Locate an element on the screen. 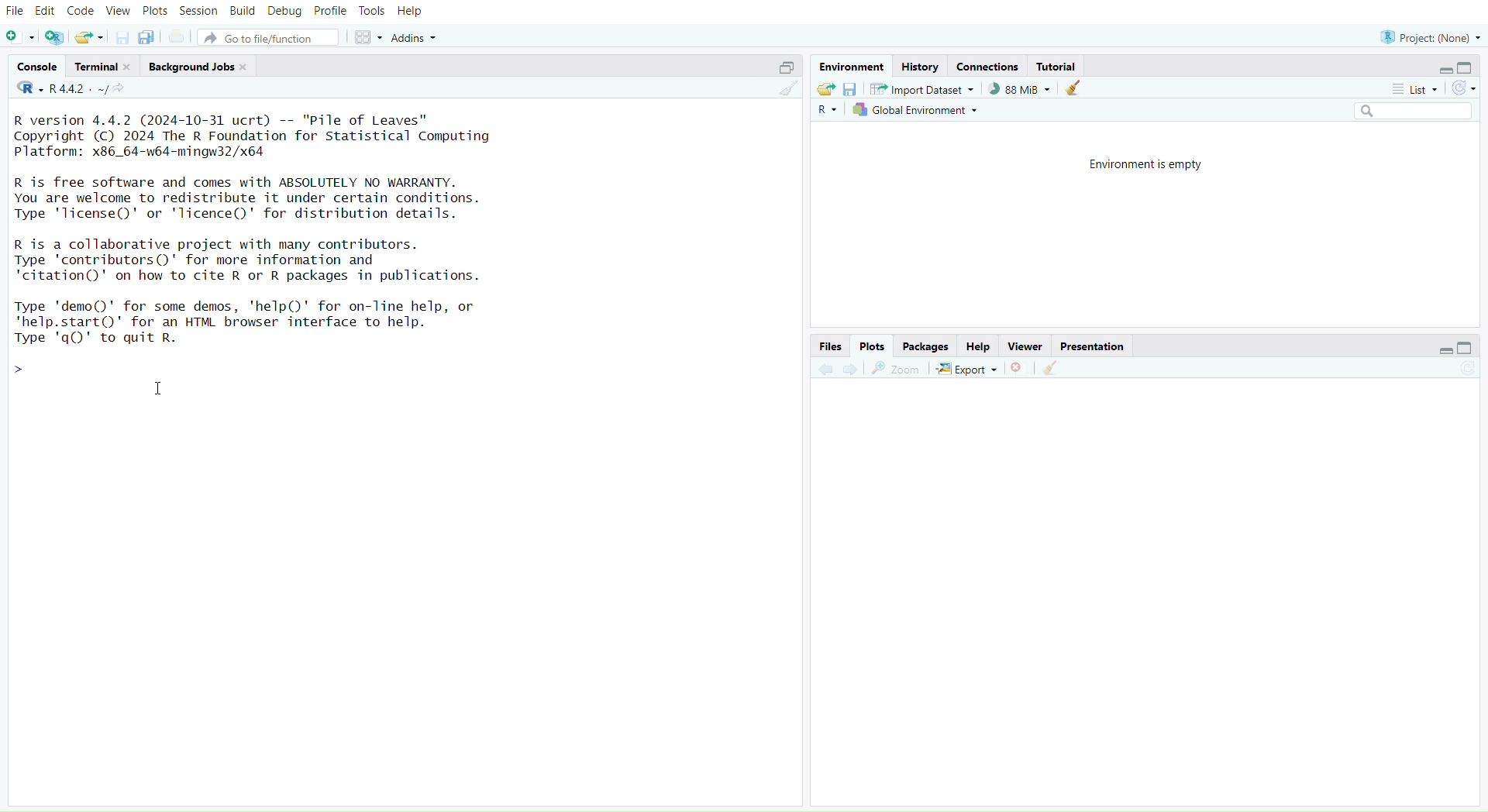  save current document is located at coordinates (123, 39).